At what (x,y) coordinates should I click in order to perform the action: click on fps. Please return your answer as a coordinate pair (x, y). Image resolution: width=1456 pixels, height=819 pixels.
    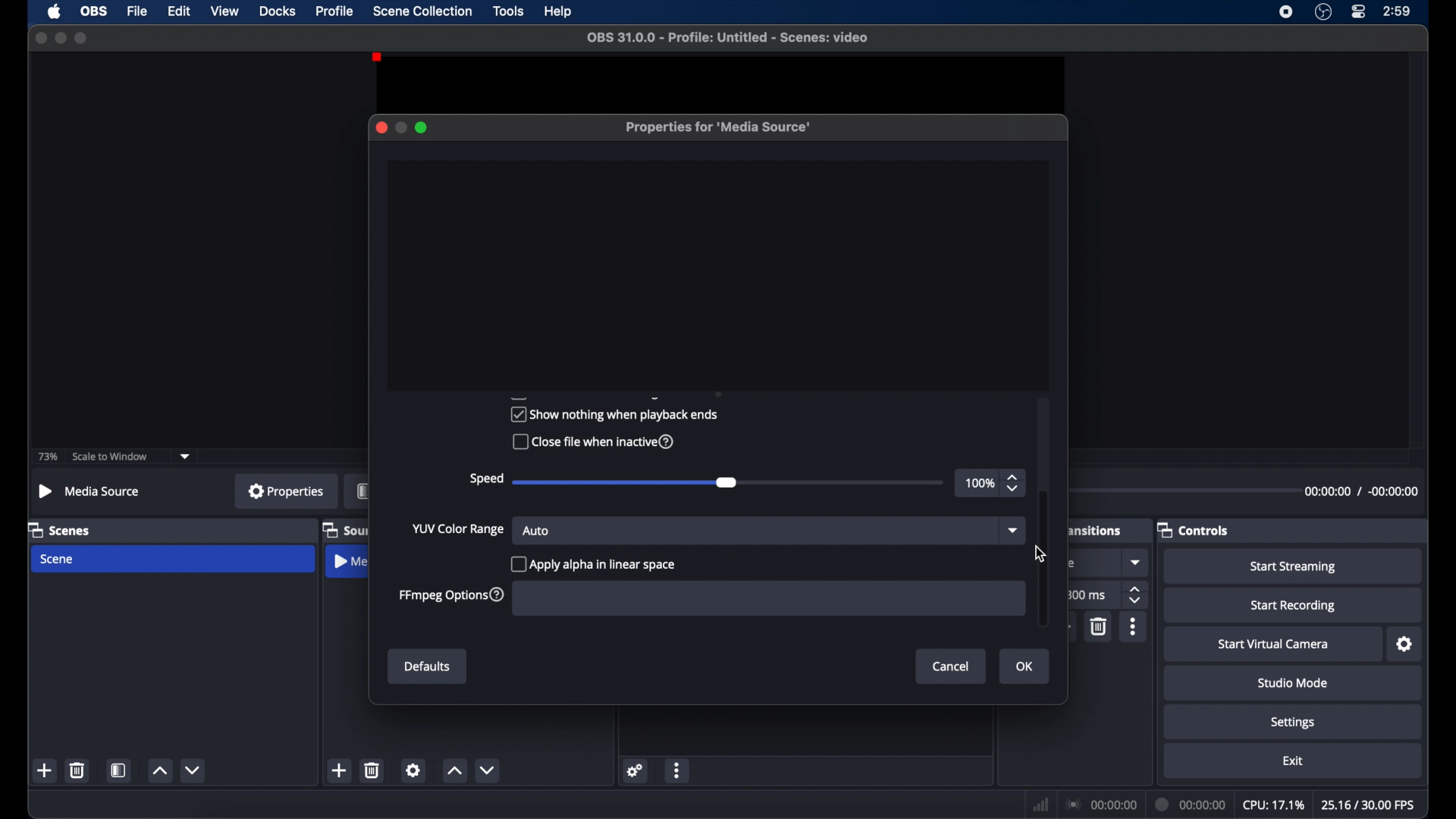
    Looking at the image, I should click on (1369, 805).